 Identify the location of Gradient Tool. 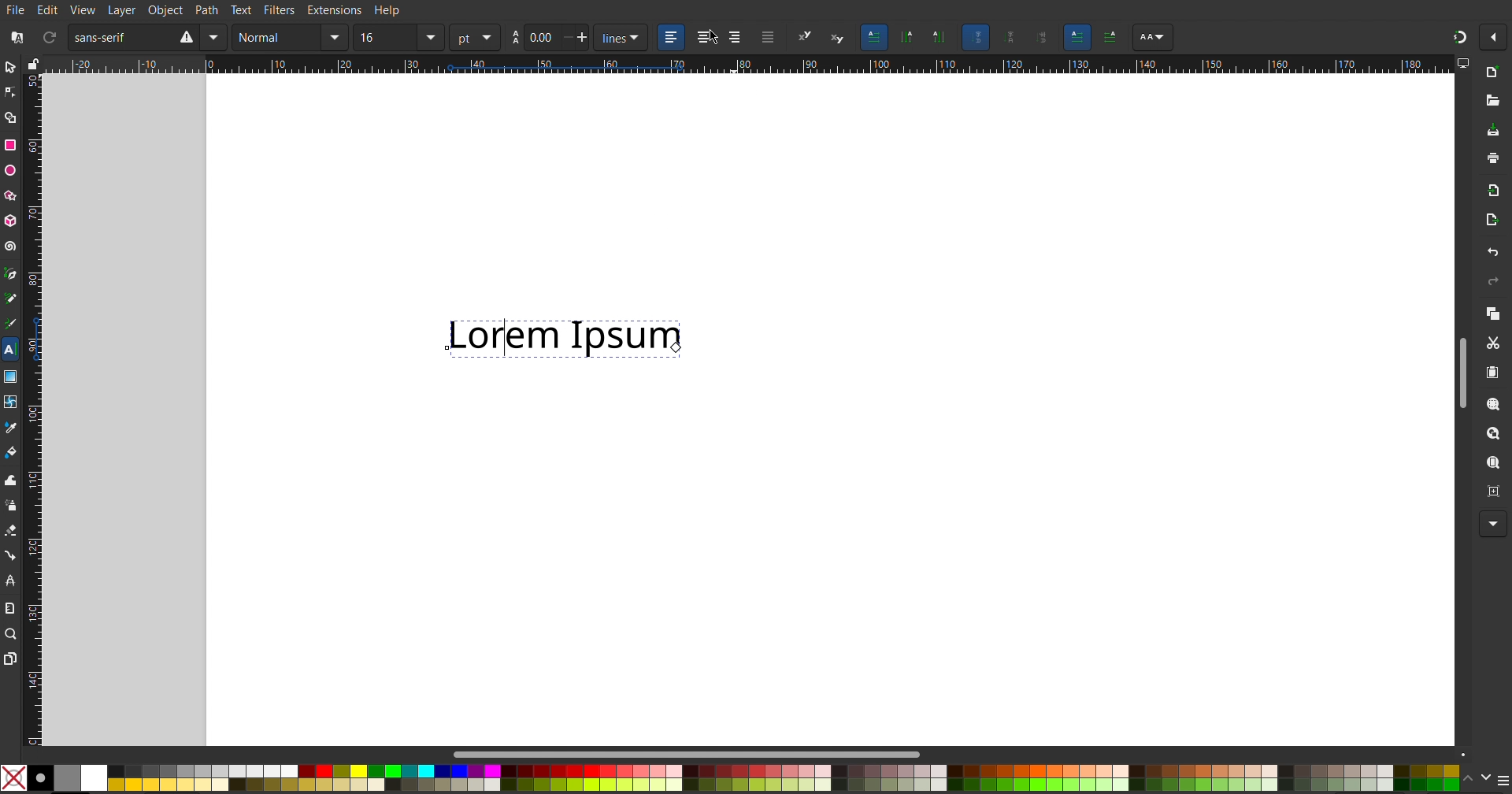
(13, 379).